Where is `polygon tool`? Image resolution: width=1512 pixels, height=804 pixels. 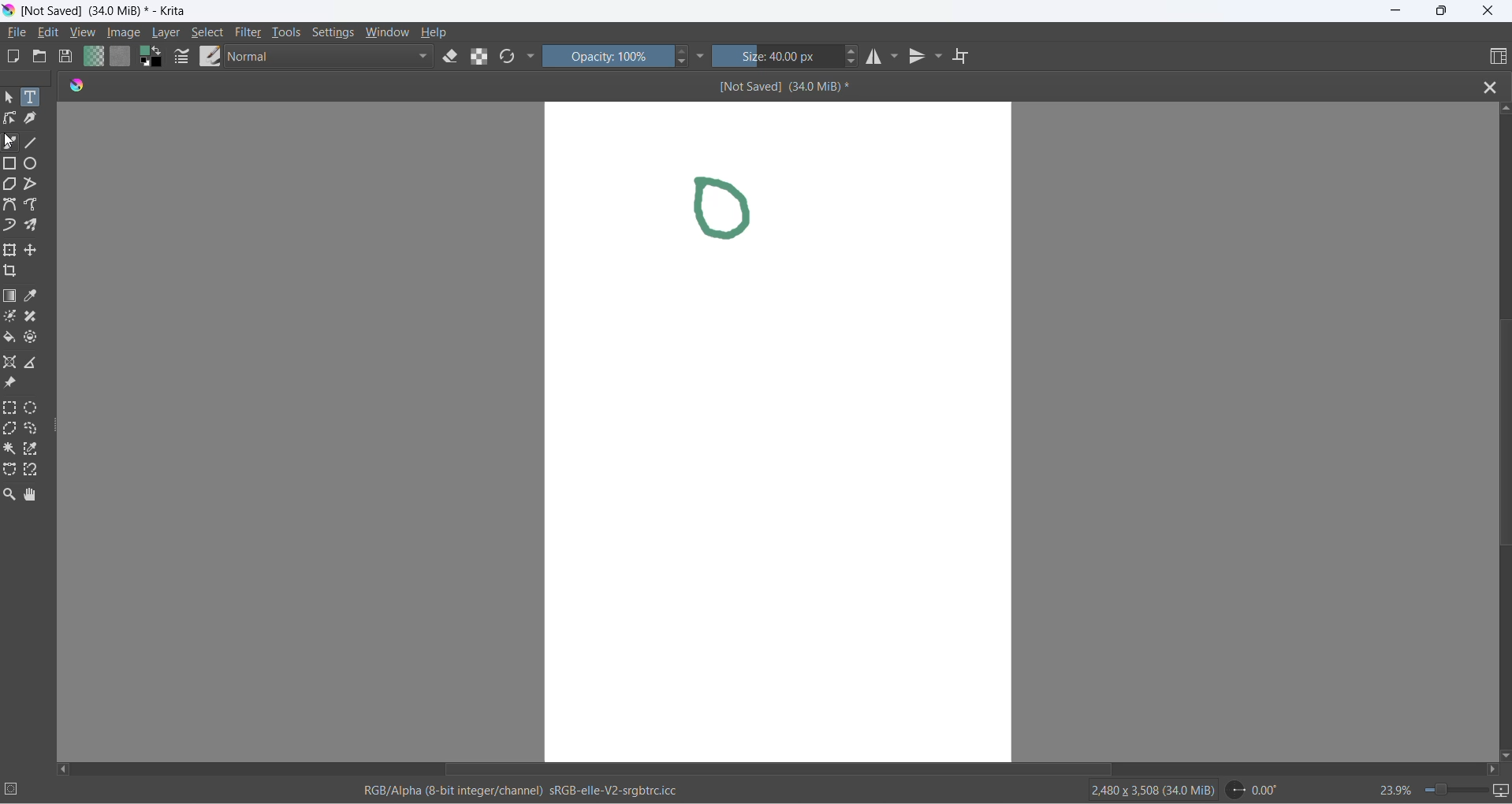
polygon tool is located at coordinates (10, 185).